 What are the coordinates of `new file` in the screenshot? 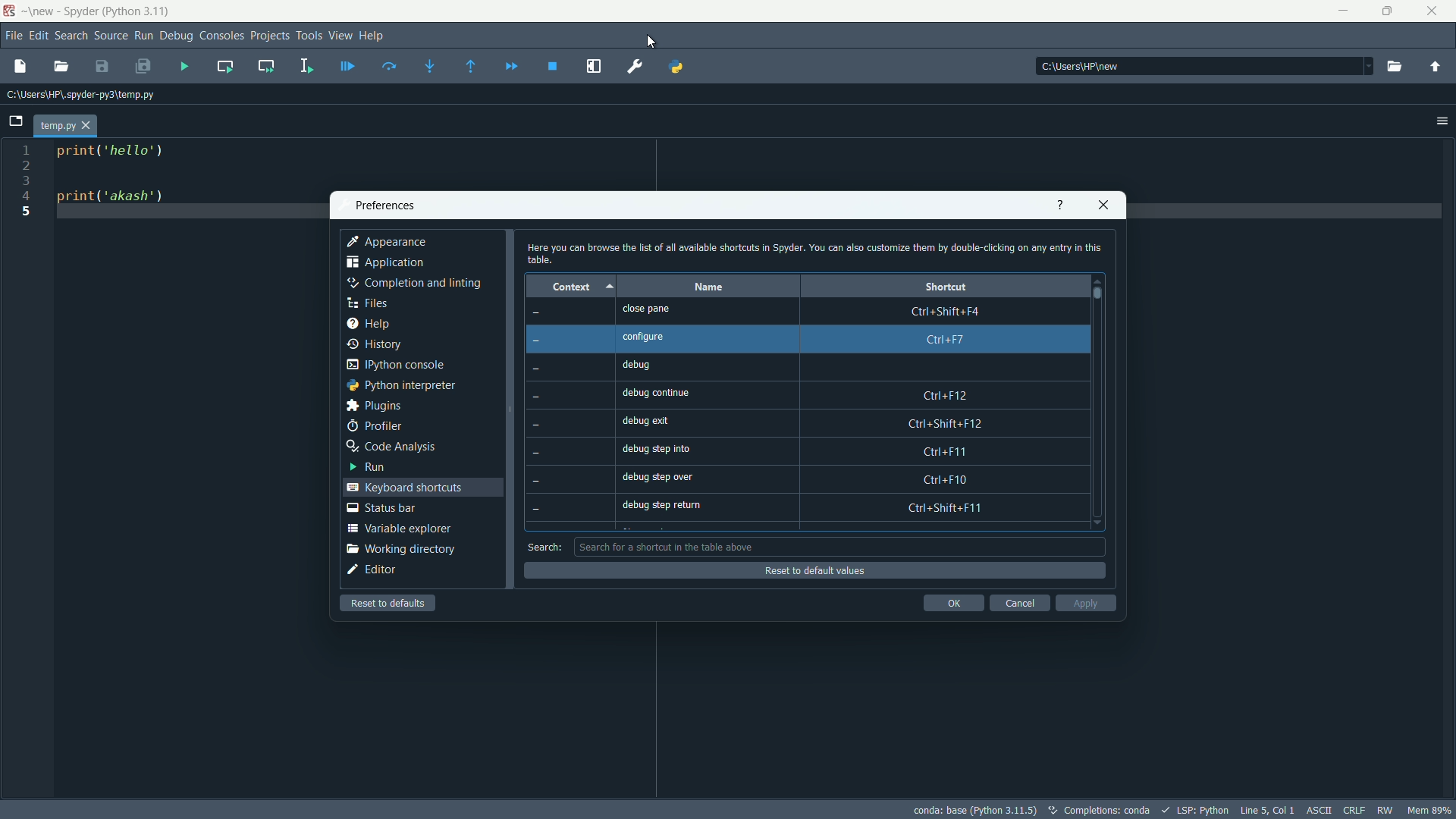 It's located at (19, 65).